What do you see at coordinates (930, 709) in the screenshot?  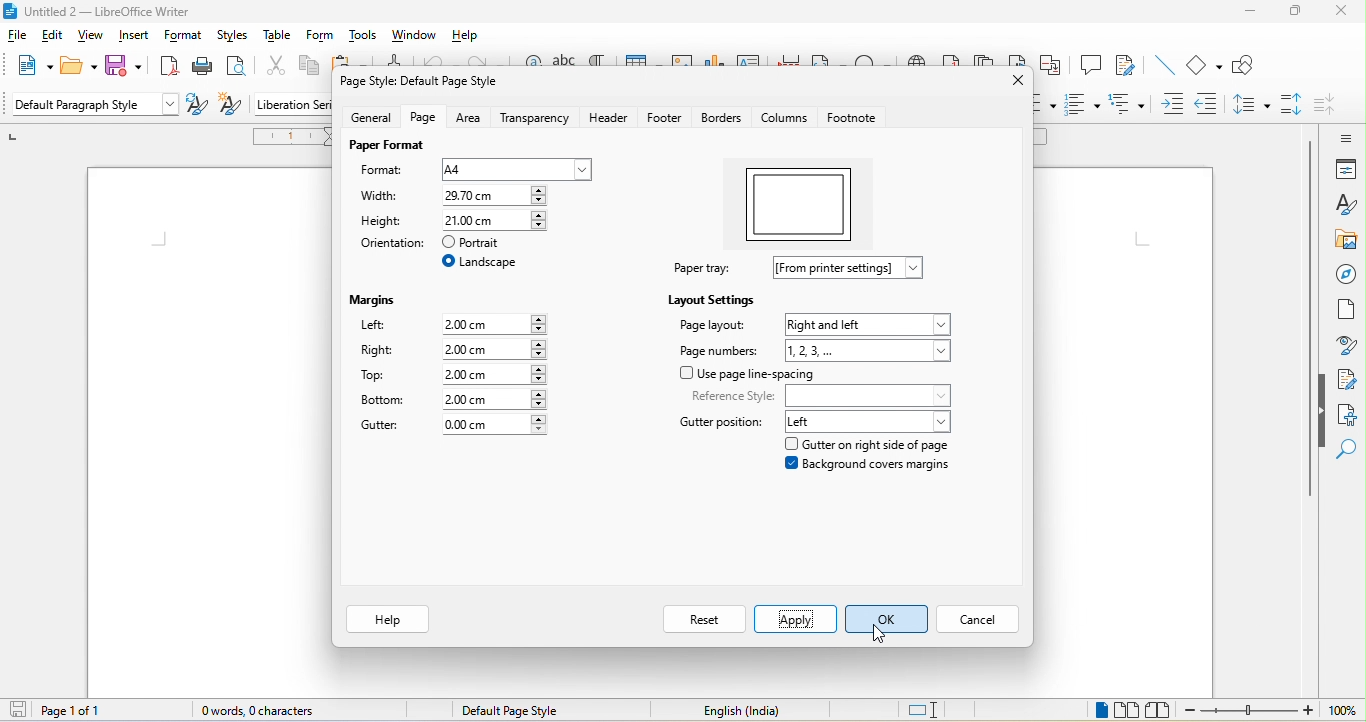 I see `standard selection` at bounding box center [930, 709].